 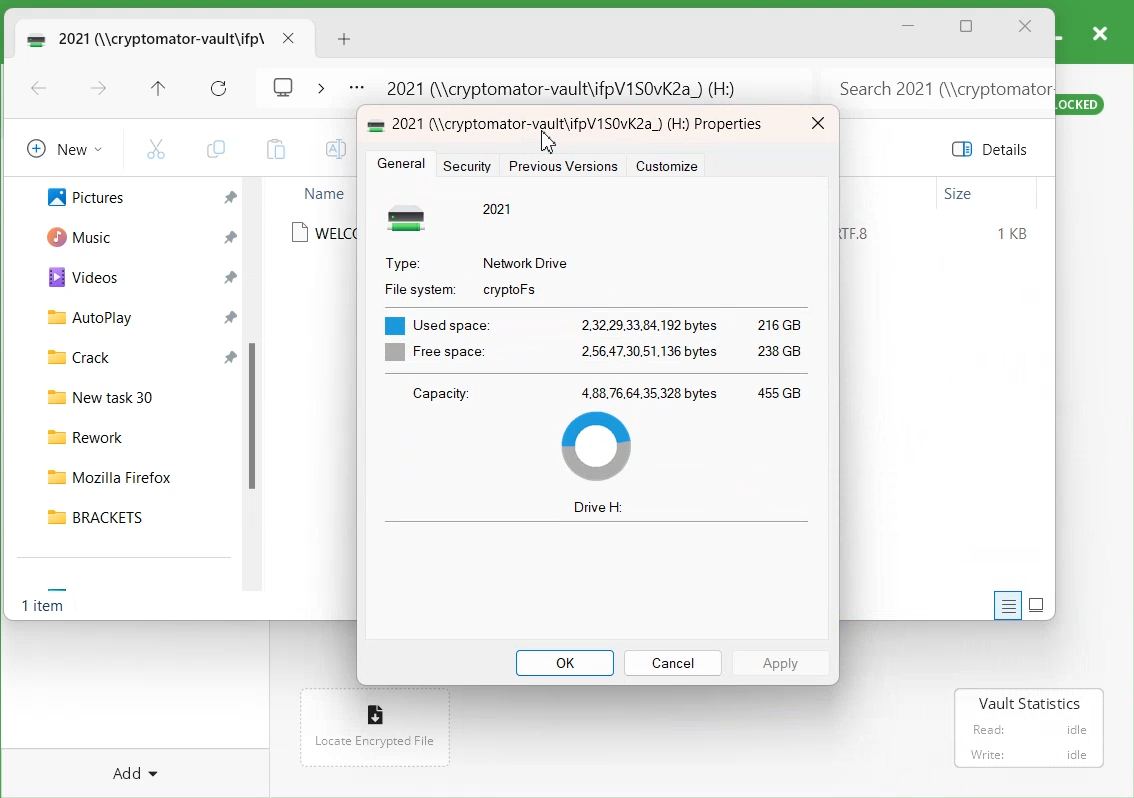 What do you see at coordinates (994, 149) in the screenshot?
I see `Details` at bounding box center [994, 149].